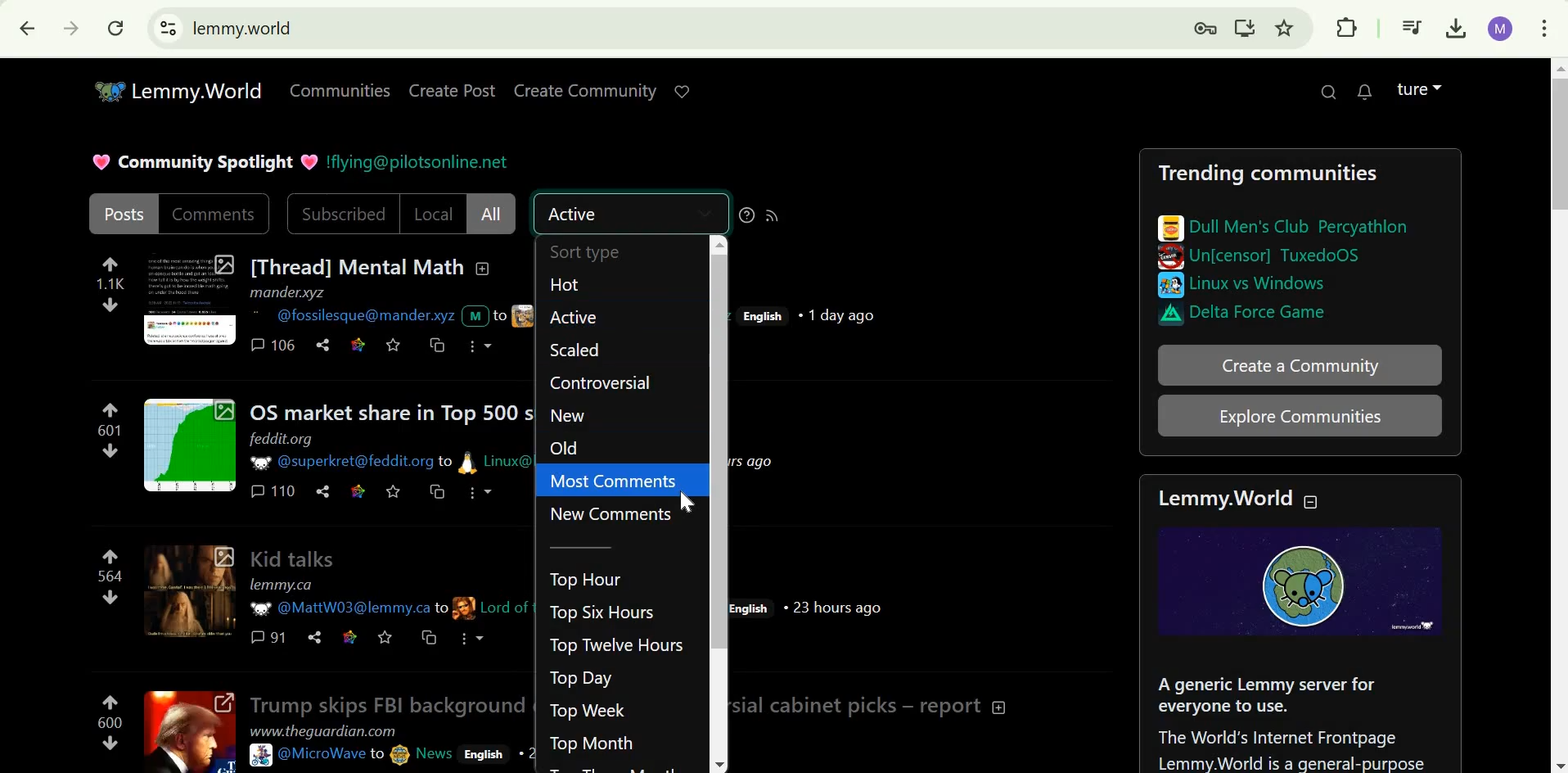 This screenshot has width=1568, height=773. Describe the element at coordinates (482, 753) in the screenshot. I see `English` at that location.